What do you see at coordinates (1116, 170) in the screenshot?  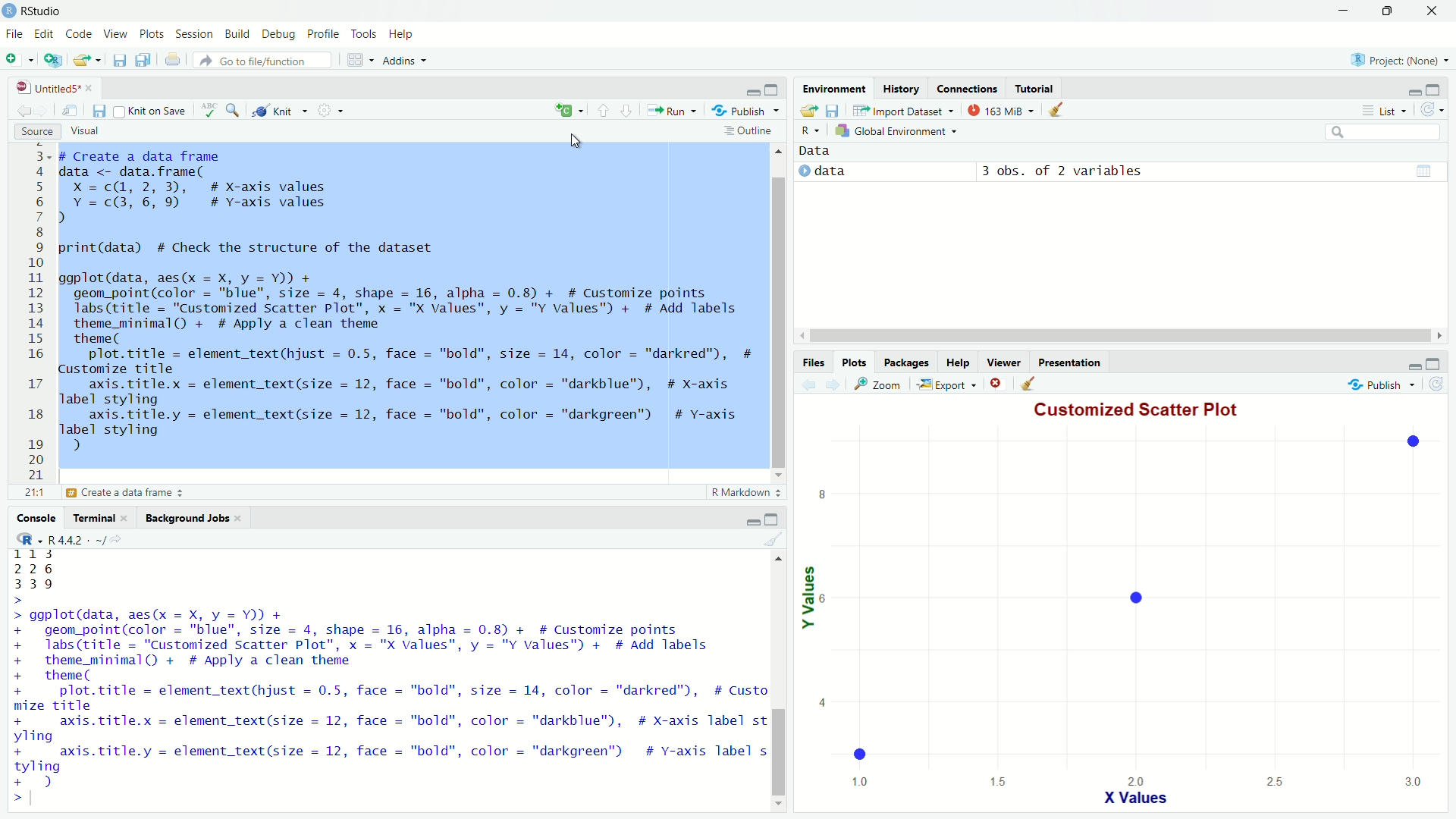 I see `Environment is empty` at bounding box center [1116, 170].